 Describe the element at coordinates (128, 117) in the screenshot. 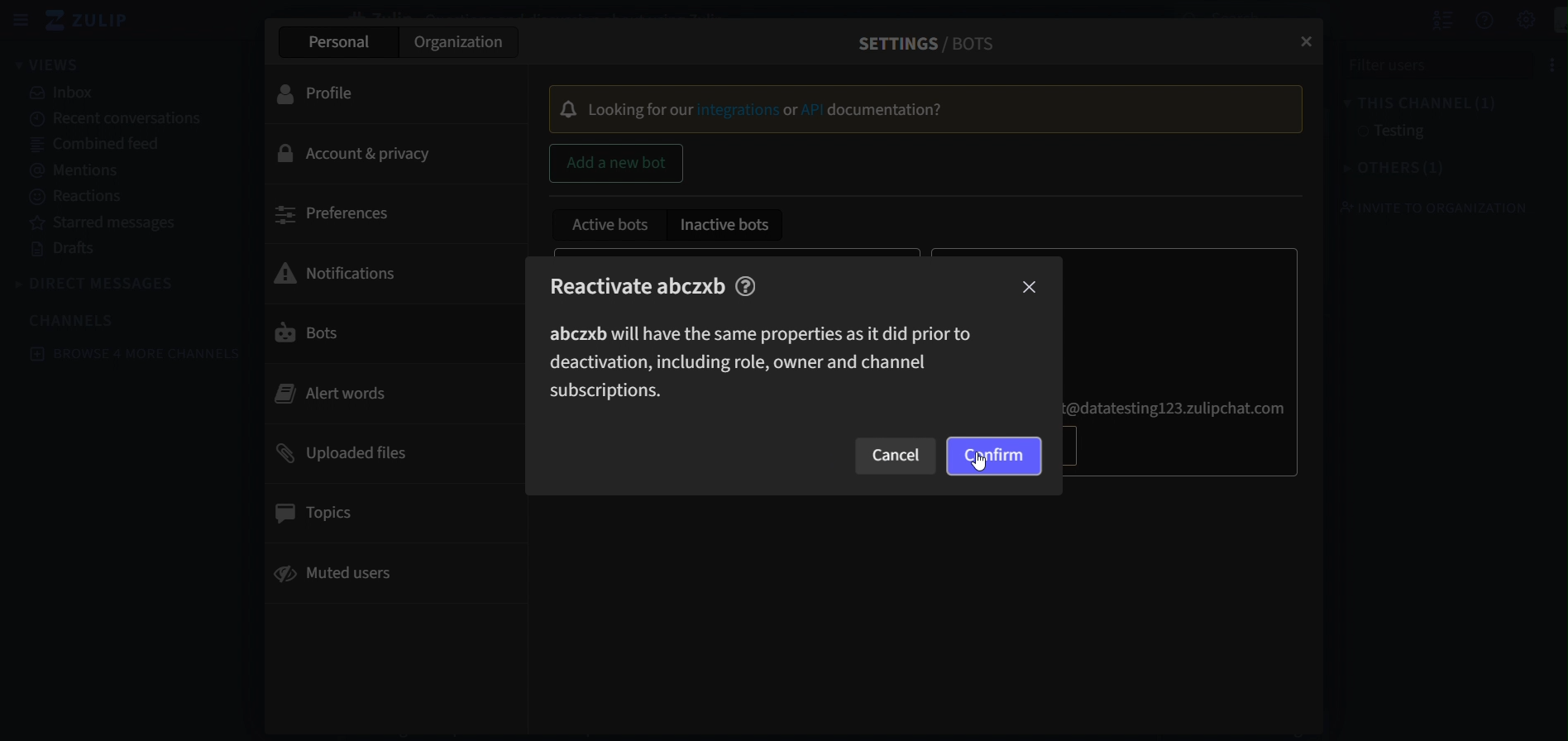

I see `recent conversations` at that location.